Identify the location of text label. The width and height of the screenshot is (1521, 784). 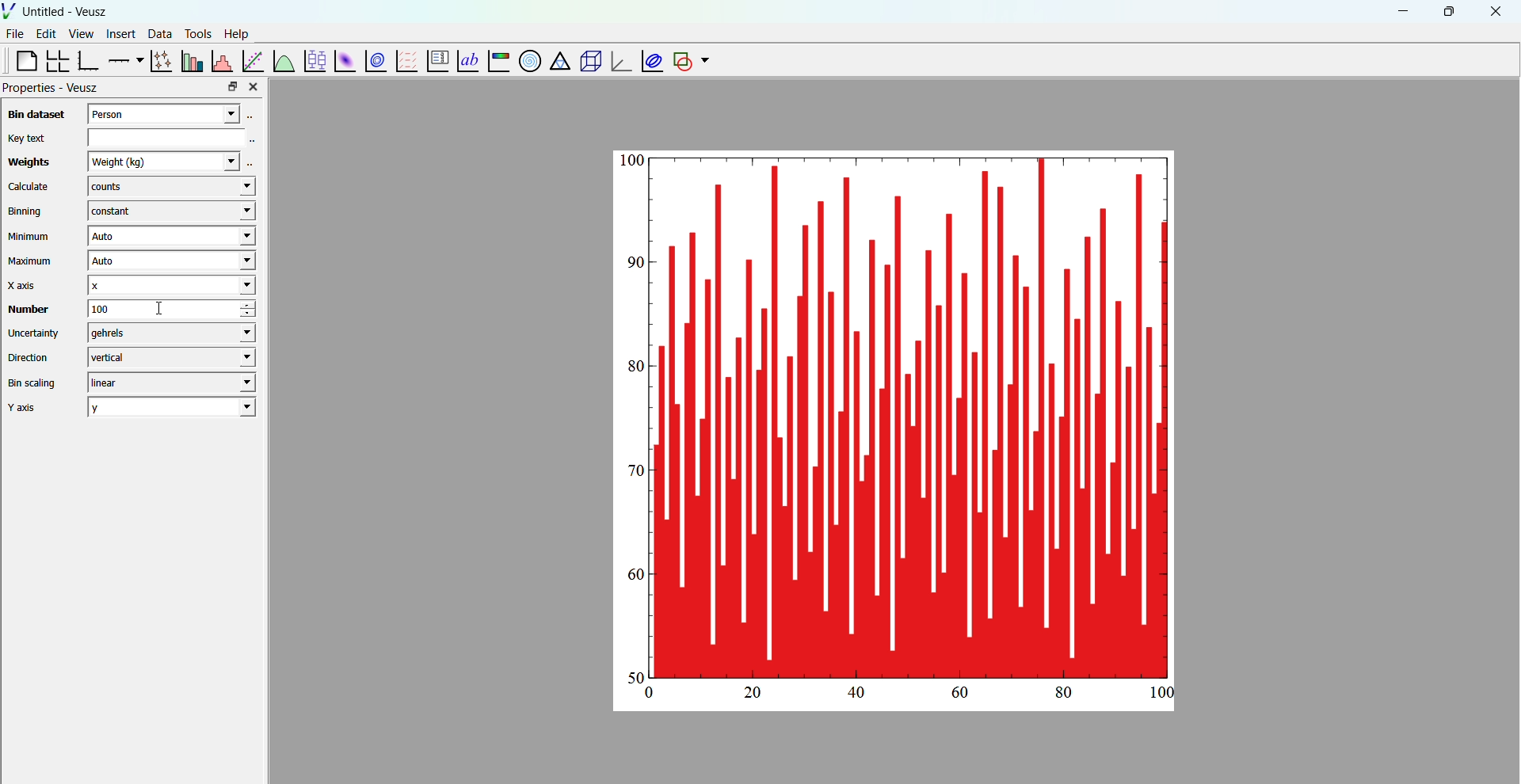
(466, 59).